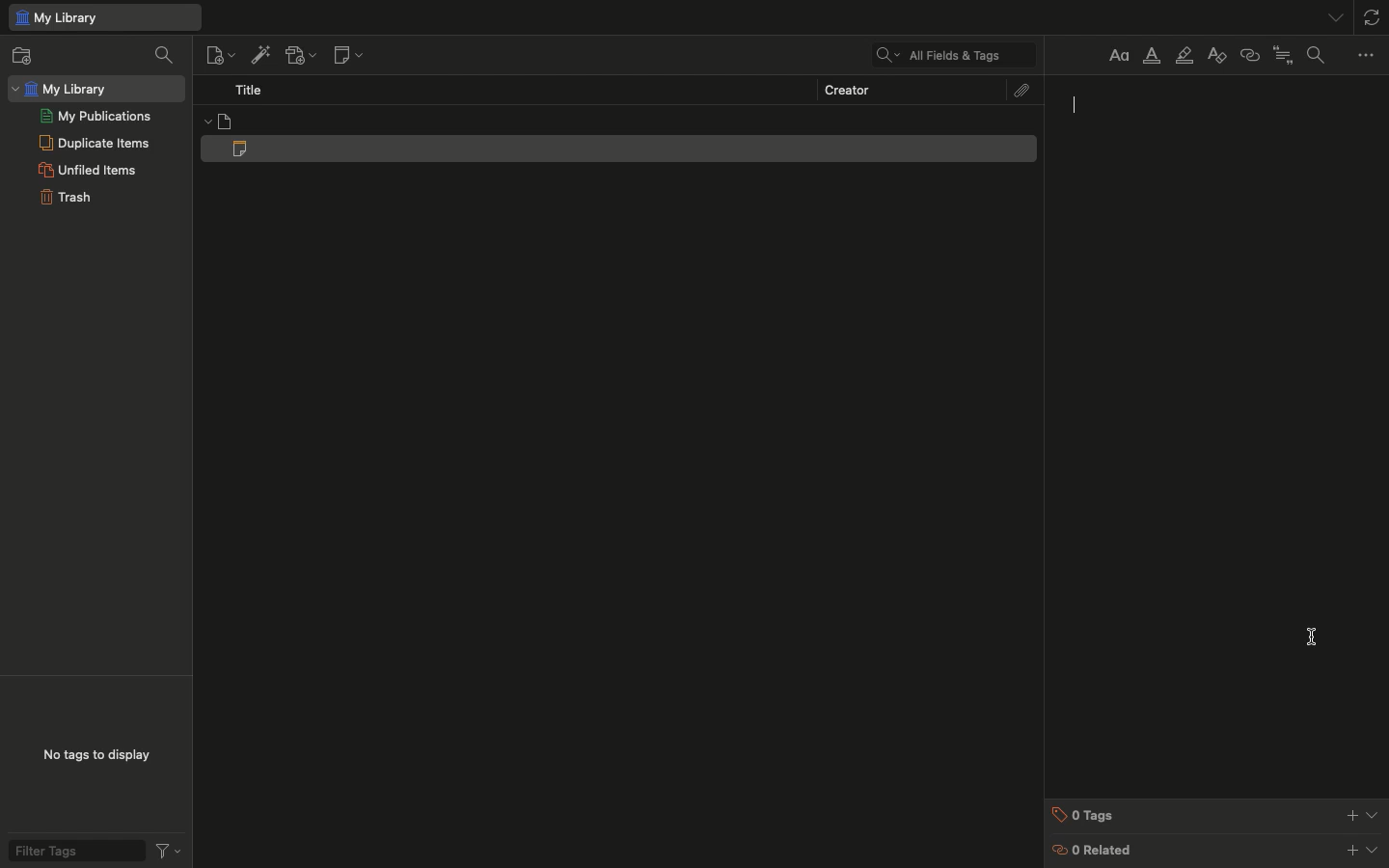  I want to click on More, so click(1368, 56).